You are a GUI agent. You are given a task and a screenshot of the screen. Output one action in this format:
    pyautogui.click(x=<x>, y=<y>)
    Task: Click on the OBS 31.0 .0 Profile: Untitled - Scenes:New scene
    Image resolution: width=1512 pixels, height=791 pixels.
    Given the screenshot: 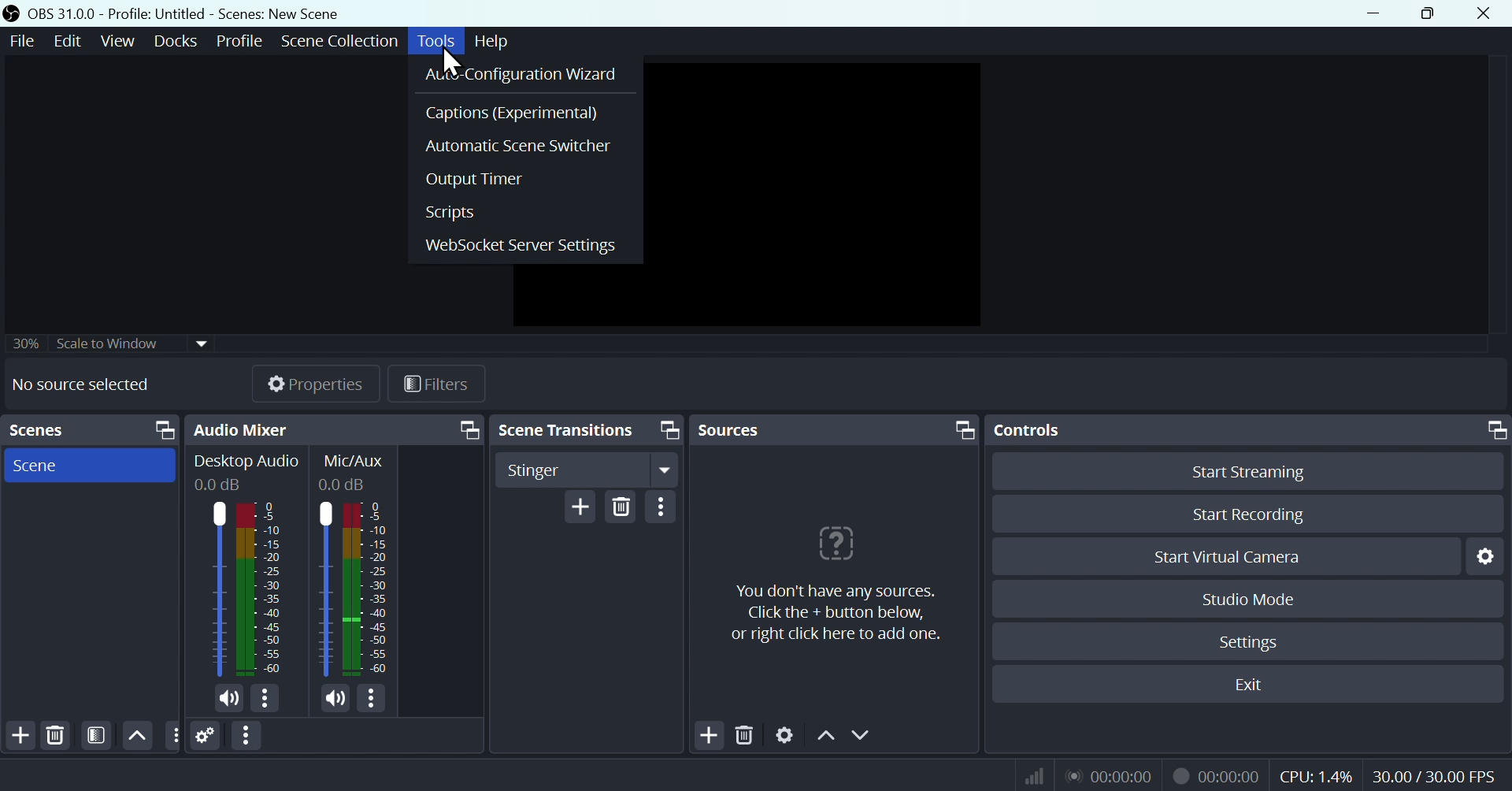 What is the action you would take?
    pyautogui.click(x=187, y=13)
    